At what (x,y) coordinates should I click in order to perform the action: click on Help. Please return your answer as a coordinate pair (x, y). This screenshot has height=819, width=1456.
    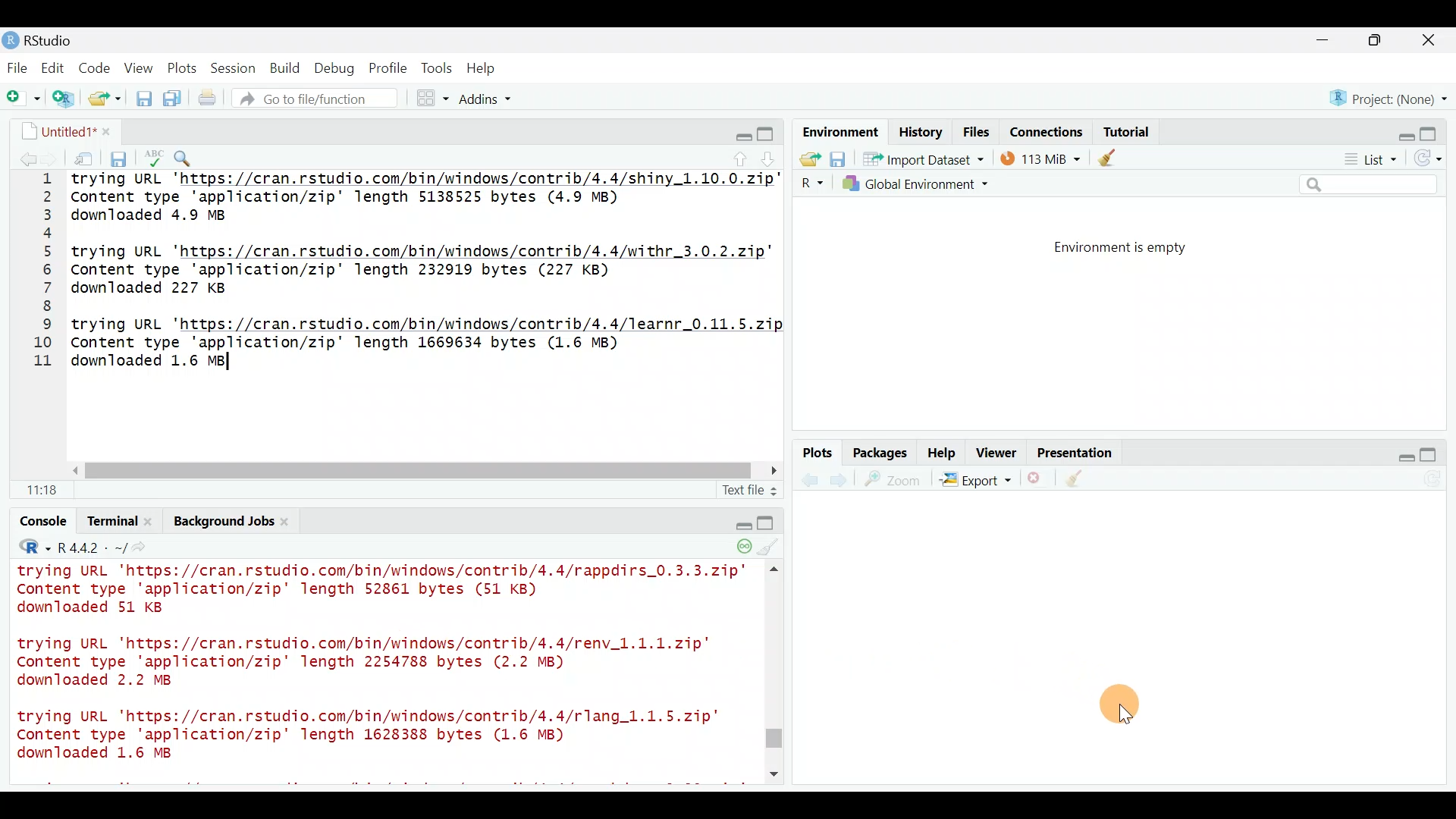
    Looking at the image, I should click on (943, 451).